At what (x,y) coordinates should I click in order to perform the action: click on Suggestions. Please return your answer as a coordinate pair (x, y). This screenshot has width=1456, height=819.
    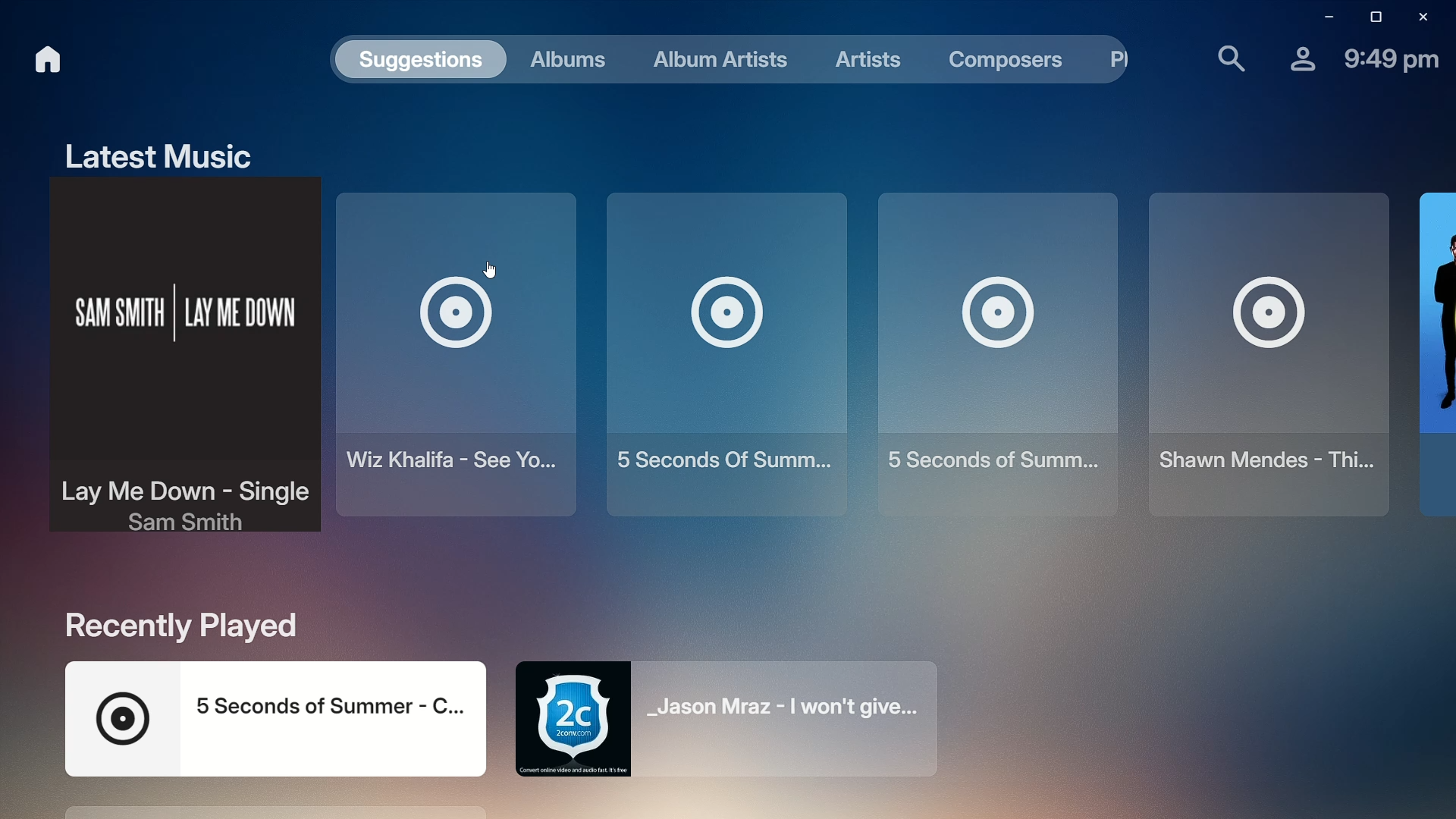
    Looking at the image, I should click on (417, 61).